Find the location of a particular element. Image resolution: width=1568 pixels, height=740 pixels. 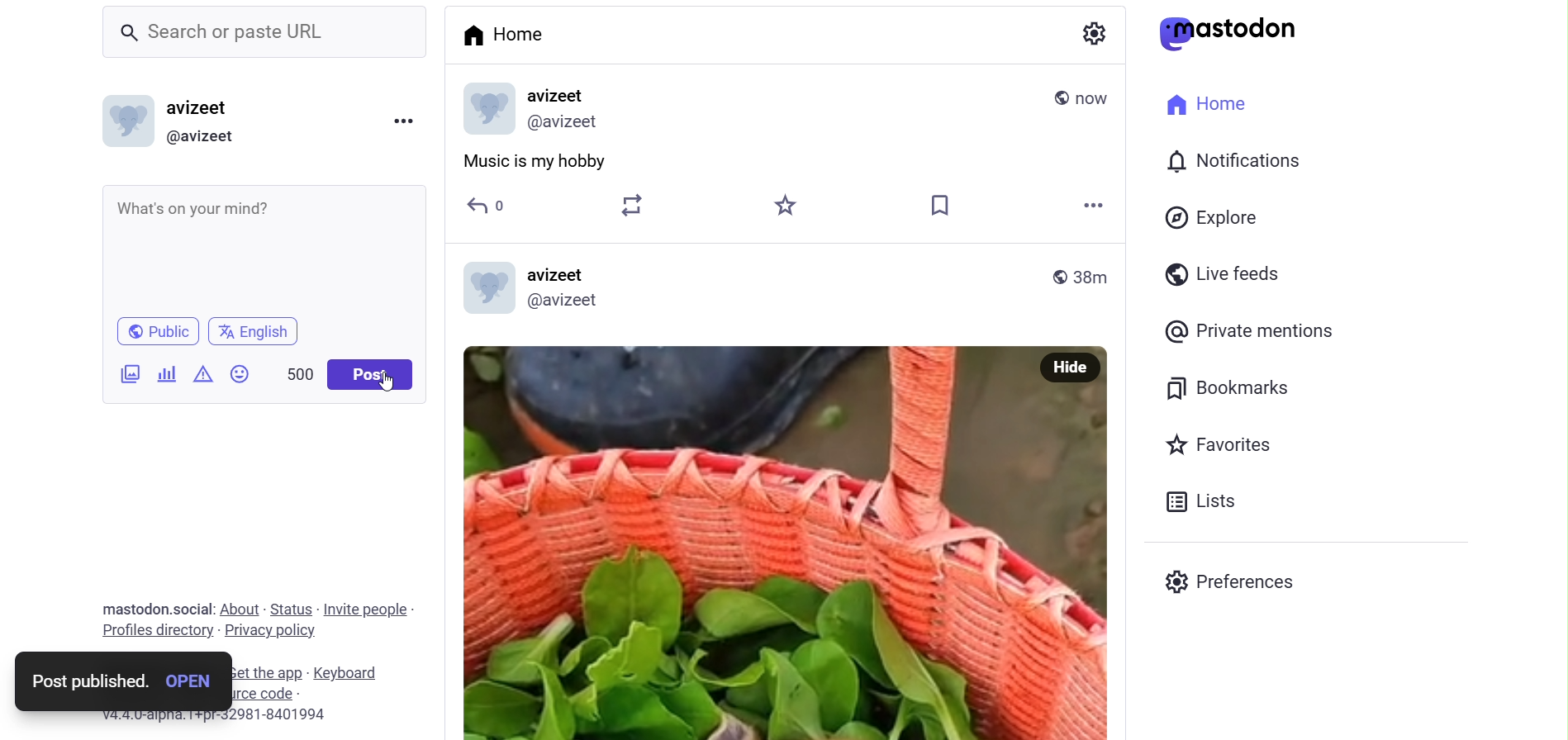

Keyboard is located at coordinates (352, 671).